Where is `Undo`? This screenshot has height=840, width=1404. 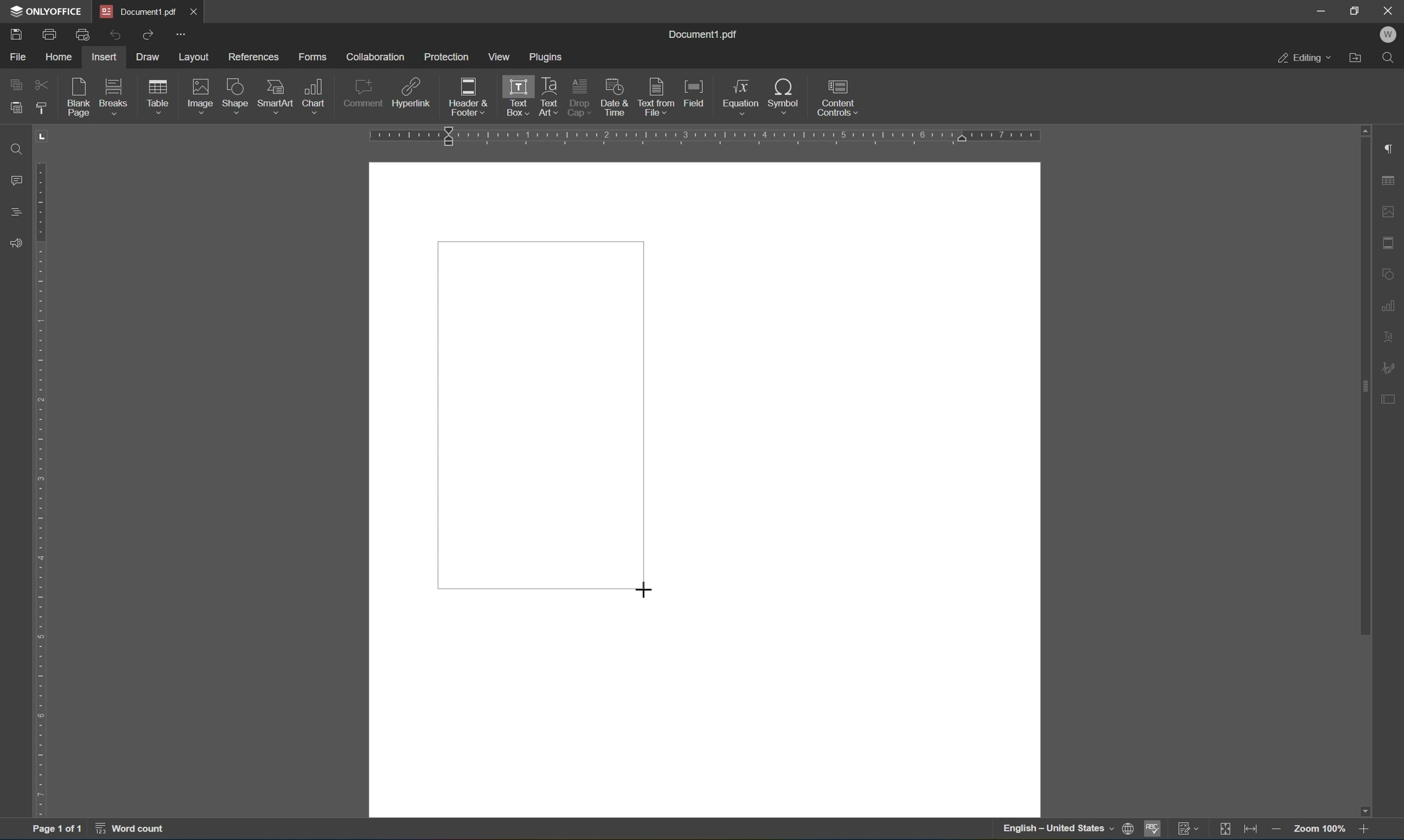
Undo is located at coordinates (114, 37).